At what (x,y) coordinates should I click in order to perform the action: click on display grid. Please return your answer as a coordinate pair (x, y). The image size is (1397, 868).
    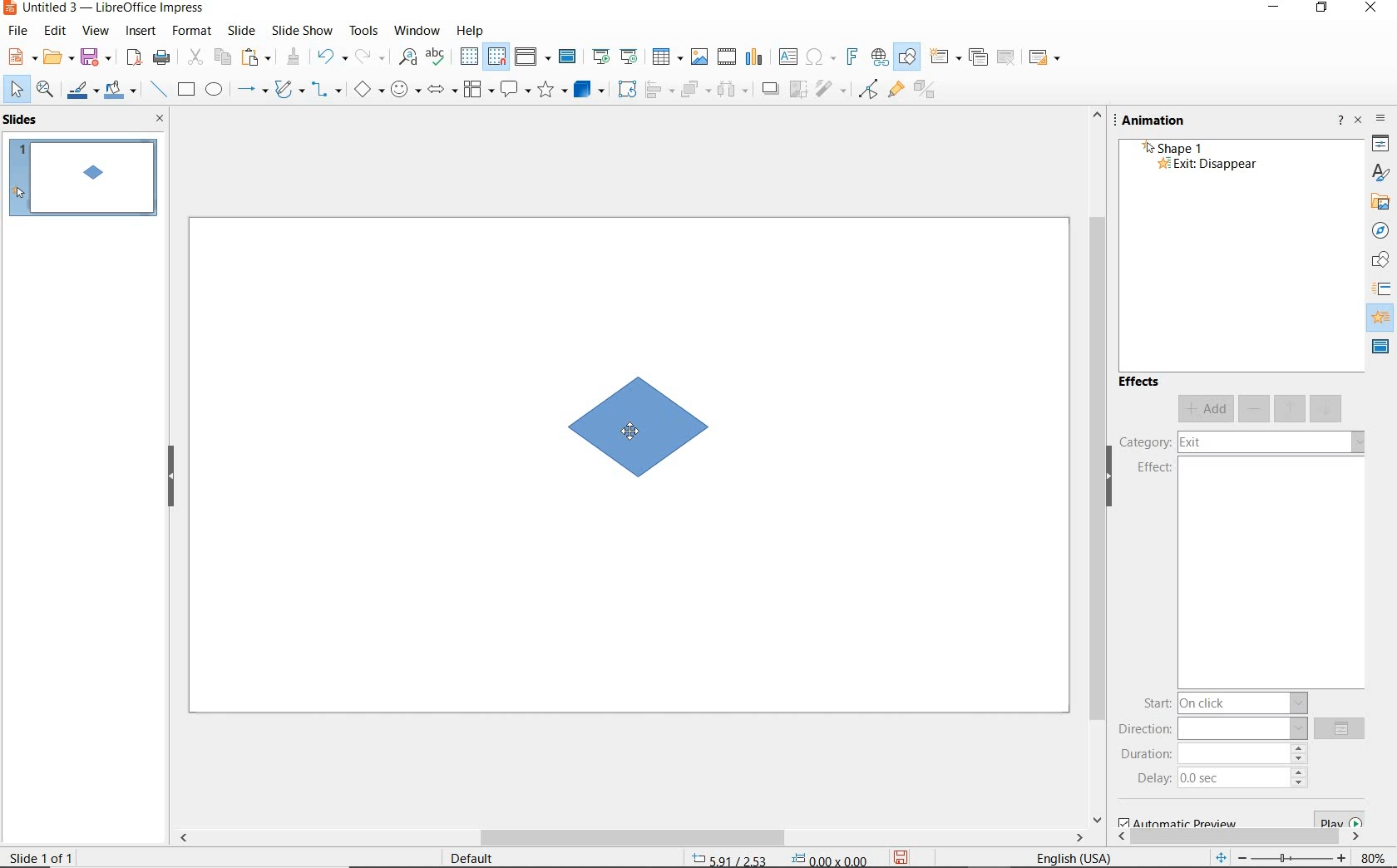
    Looking at the image, I should click on (469, 57).